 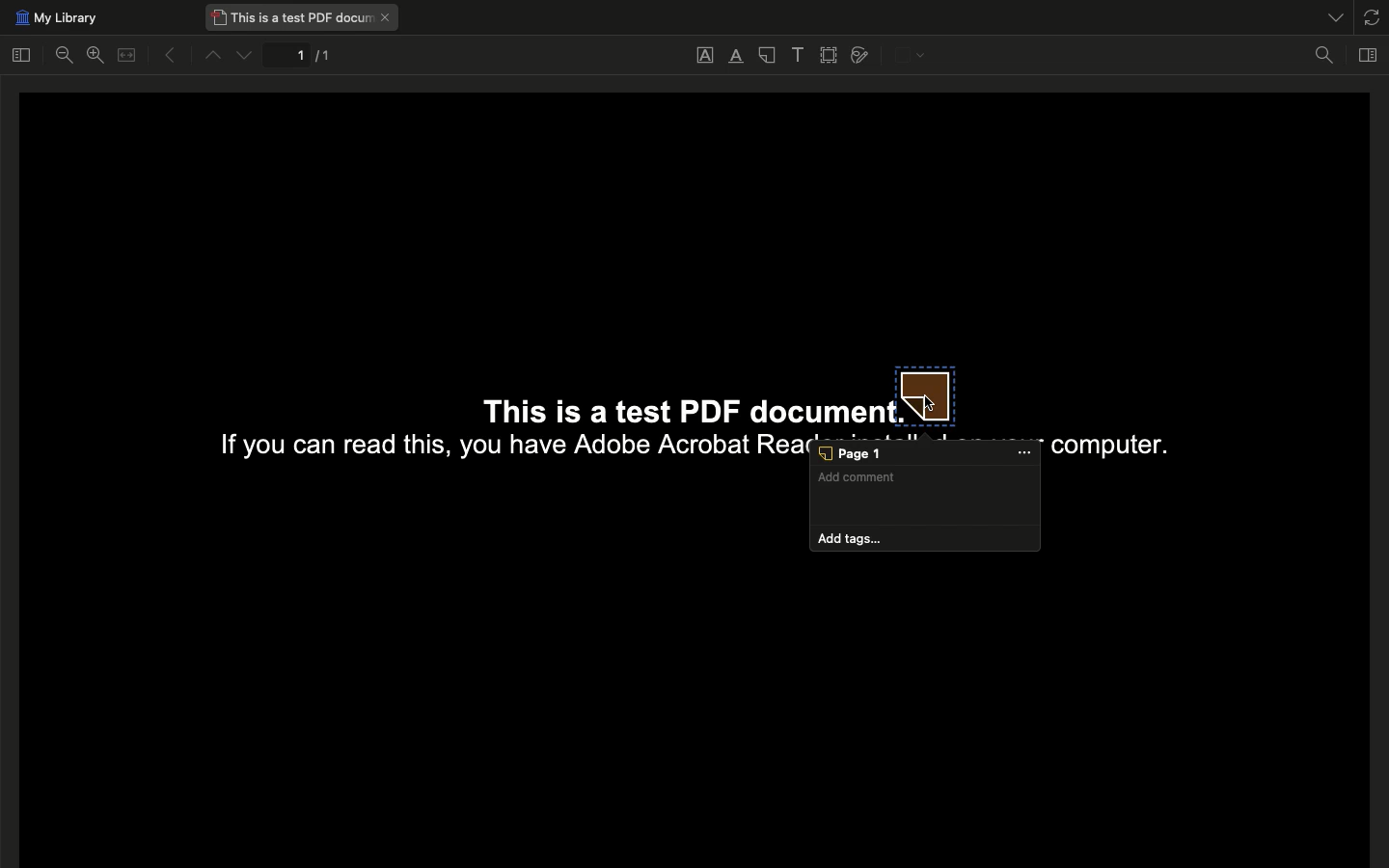 I want to click on Zoom in, so click(x=95, y=55).